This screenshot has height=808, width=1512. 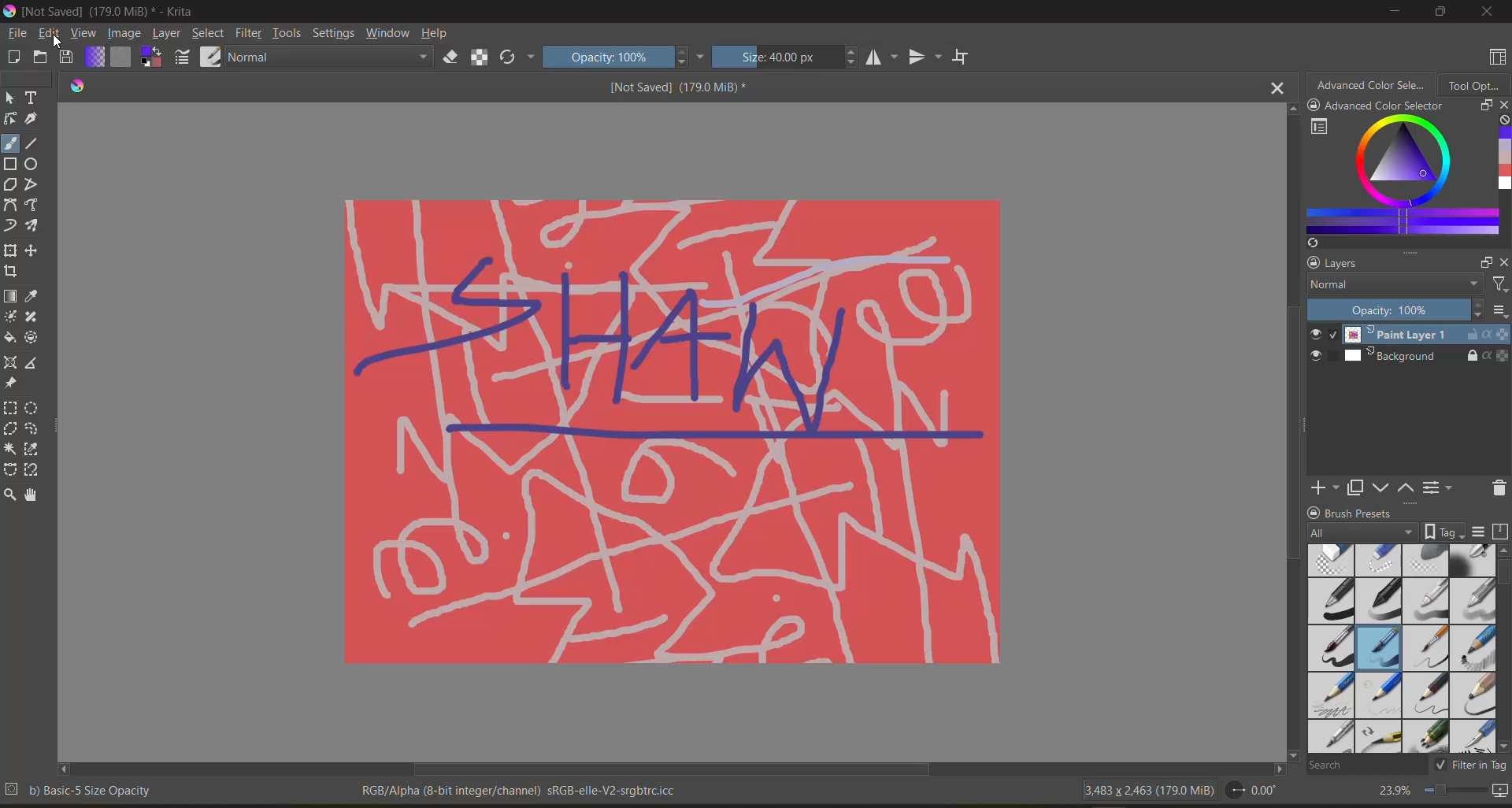 I want to click on 0.00, so click(x=1257, y=791).